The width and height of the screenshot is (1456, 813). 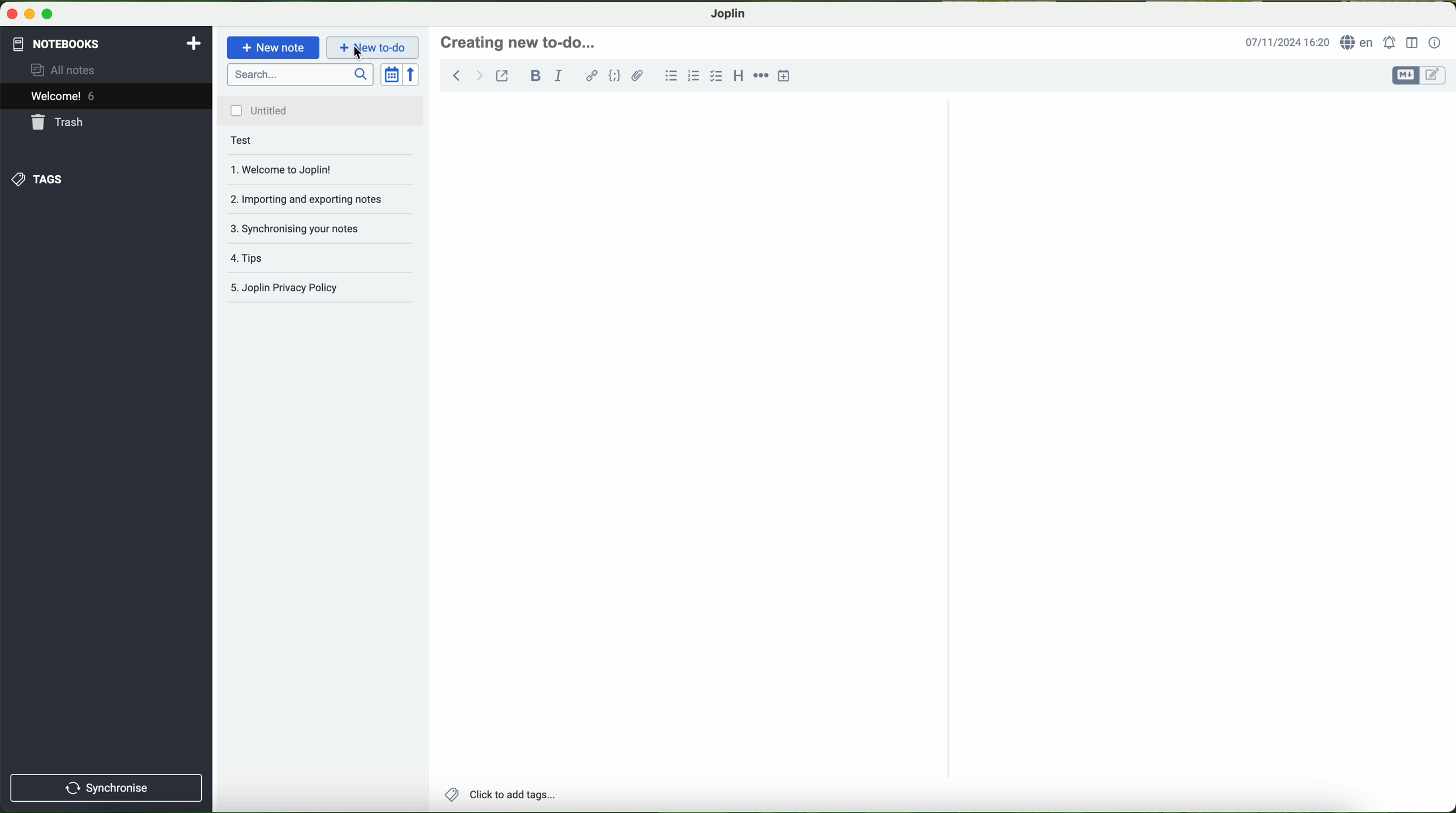 I want to click on cursor, so click(x=363, y=58).